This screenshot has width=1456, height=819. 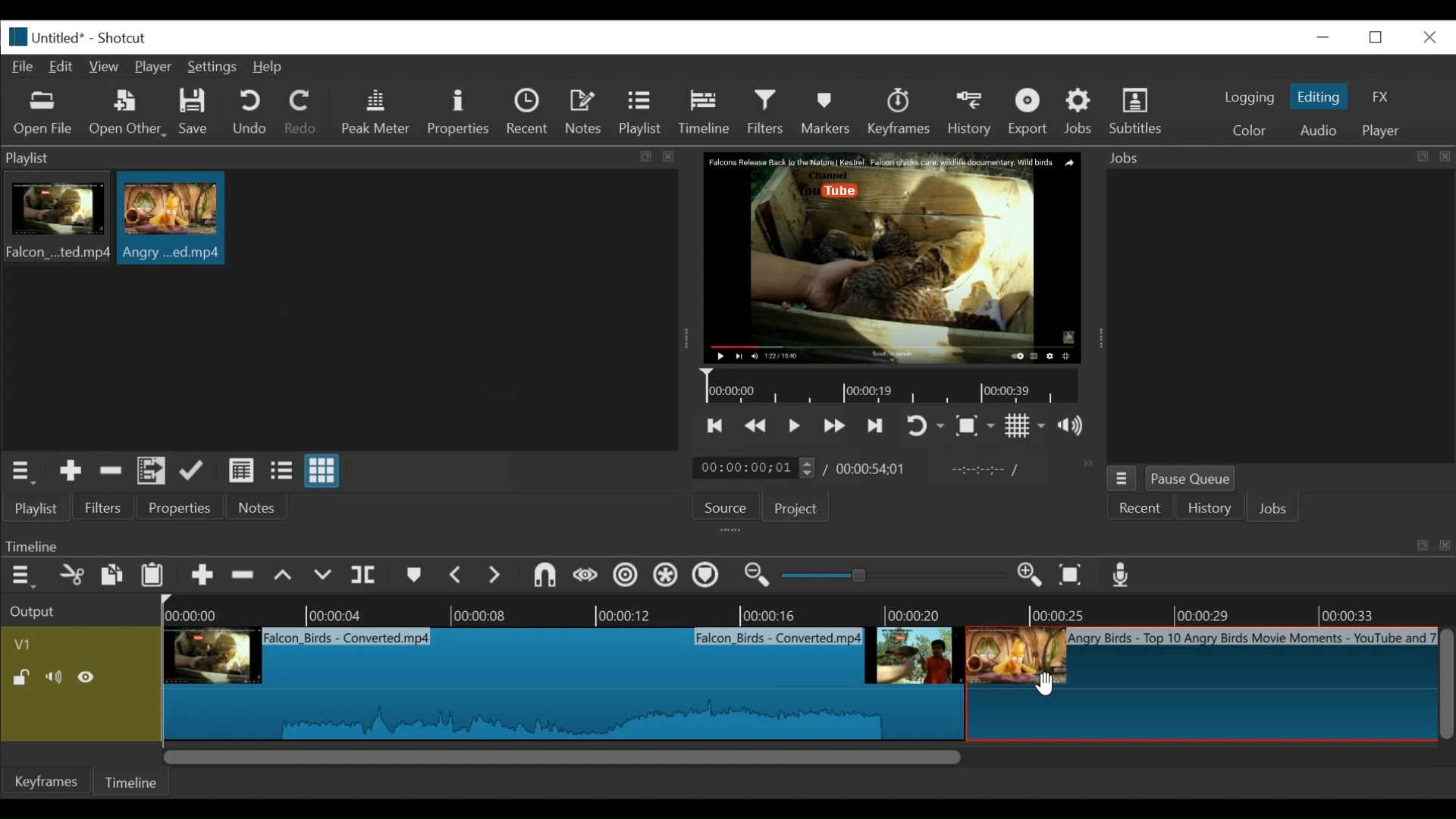 I want to click on scrub while dragging, so click(x=586, y=576).